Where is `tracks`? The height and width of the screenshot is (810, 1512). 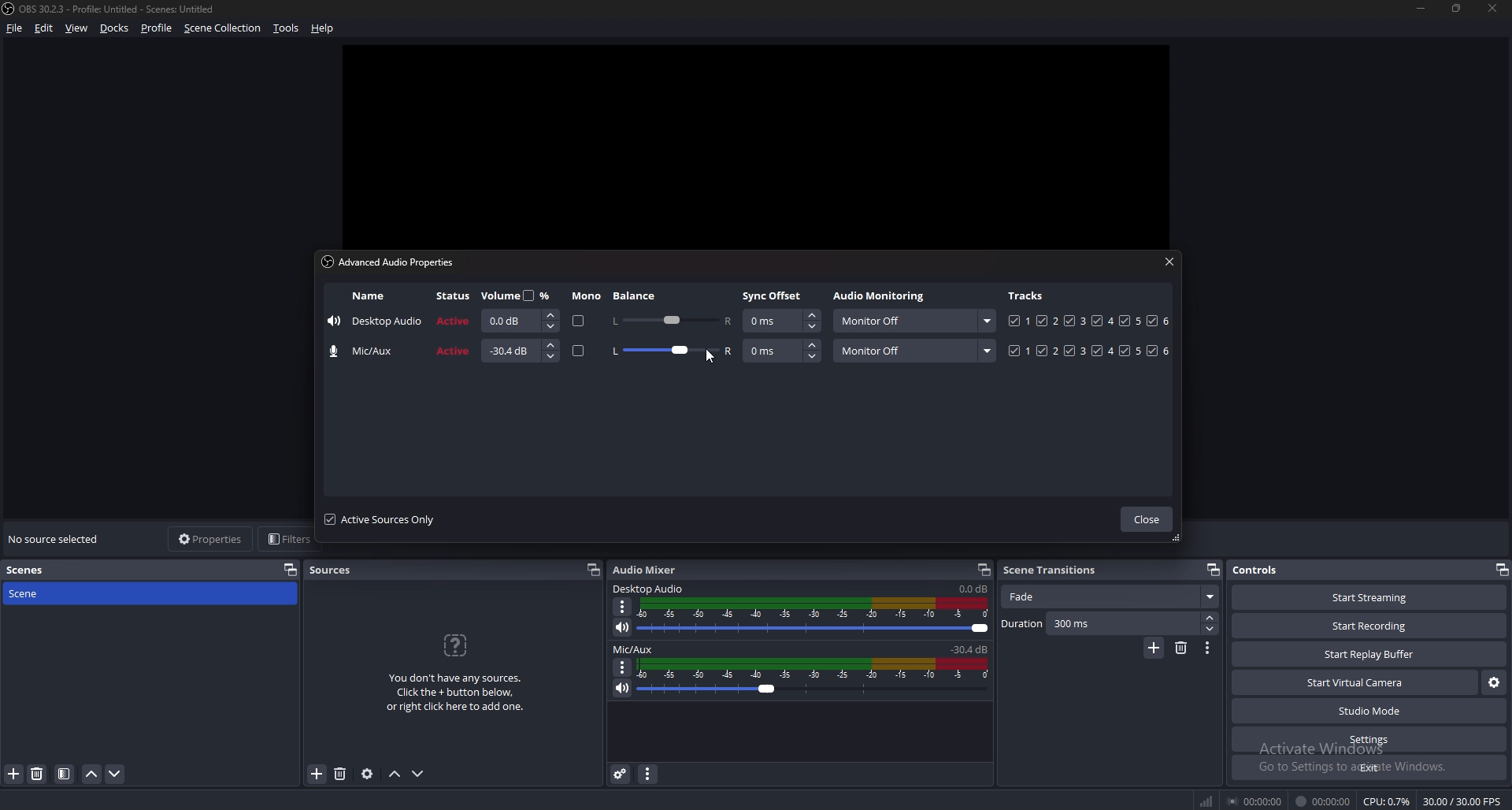 tracks is located at coordinates (1026, 296).